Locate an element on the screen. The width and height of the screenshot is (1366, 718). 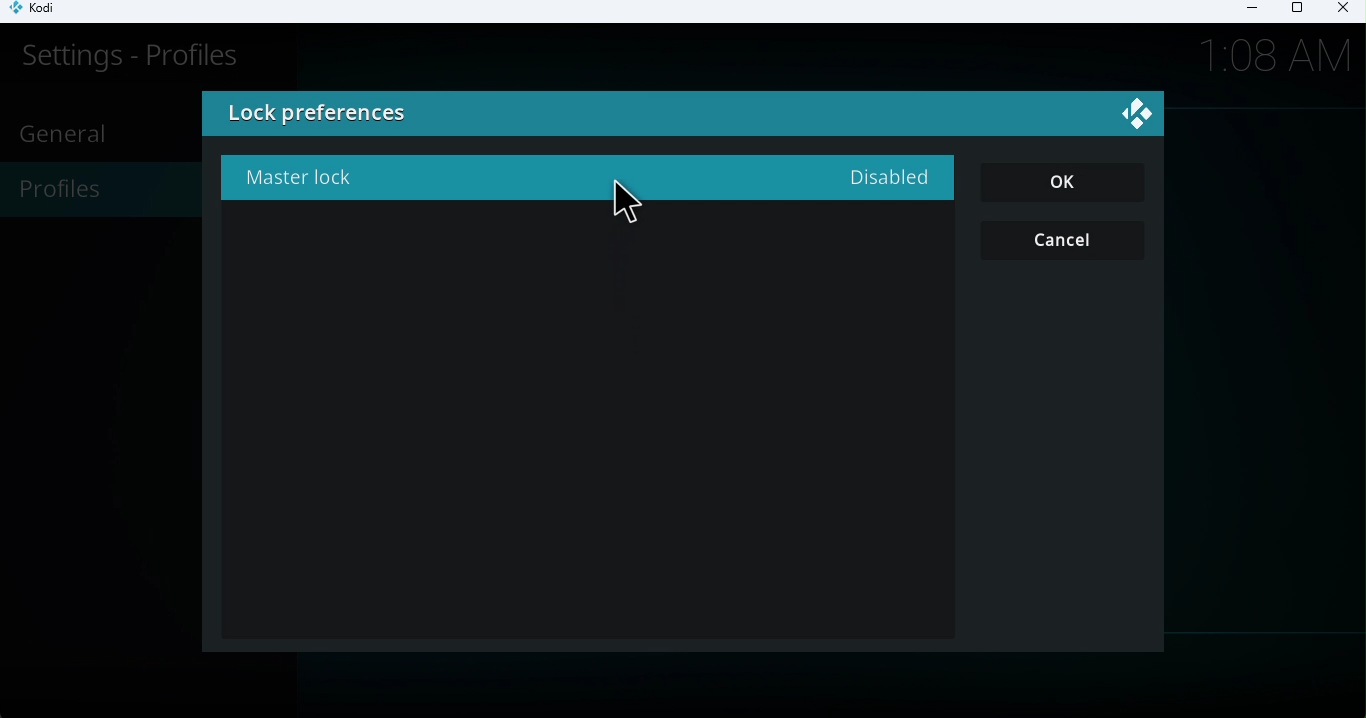
Master lock is located at coordinates (583, 177).